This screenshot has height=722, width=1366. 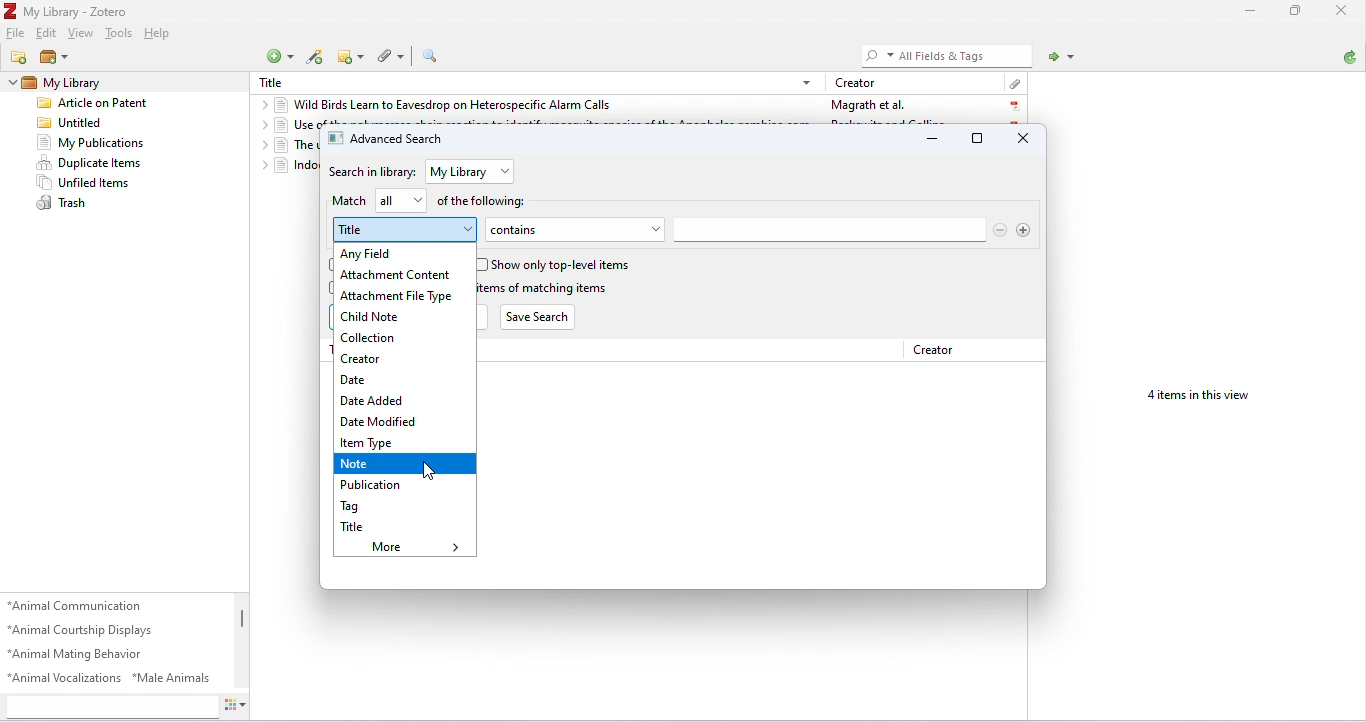 I want to click on maximize, so click(x=1292, y=11).